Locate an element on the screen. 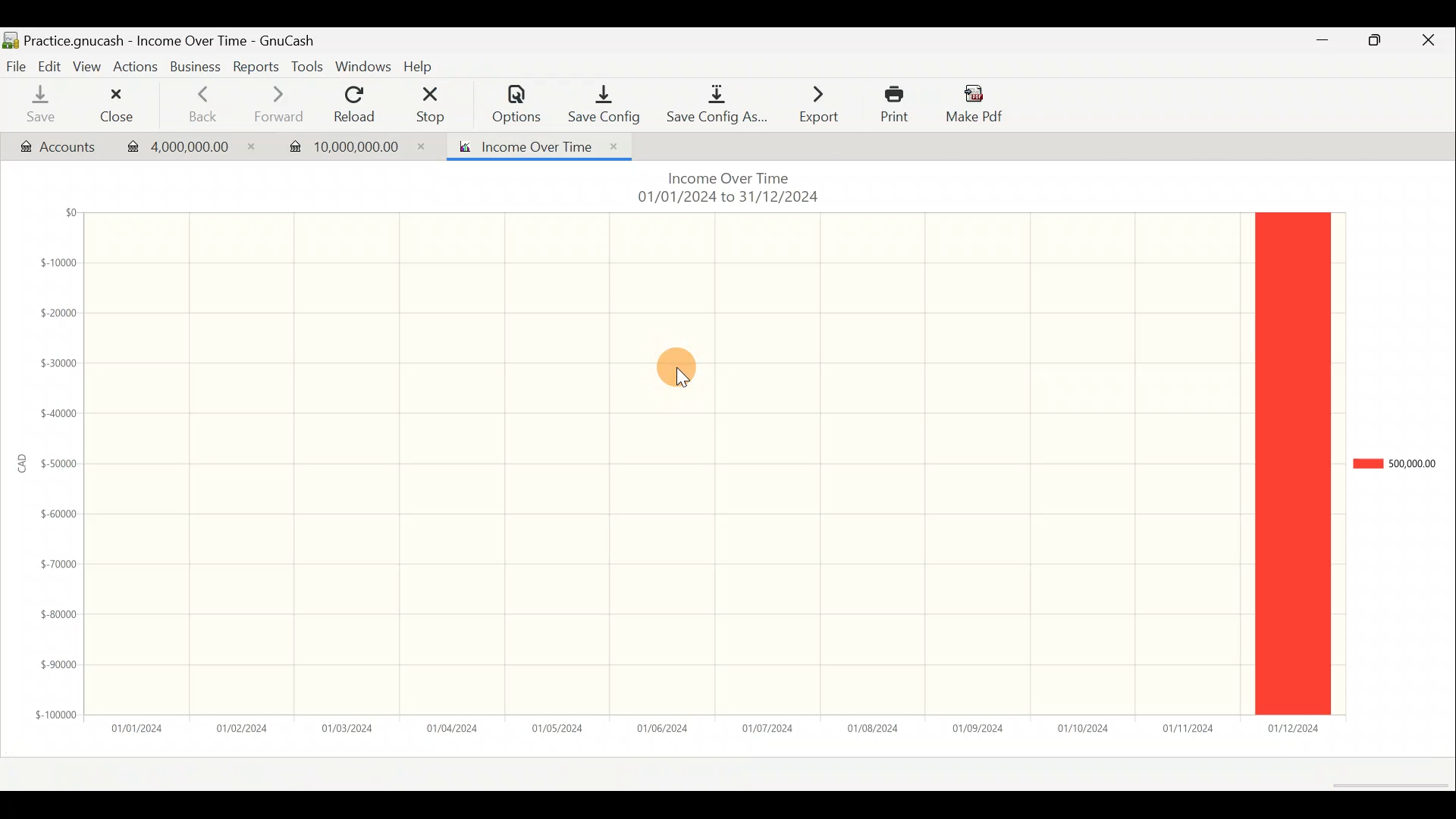 The image size is (1456, 819). Close is located at coordinates (1434, 40).